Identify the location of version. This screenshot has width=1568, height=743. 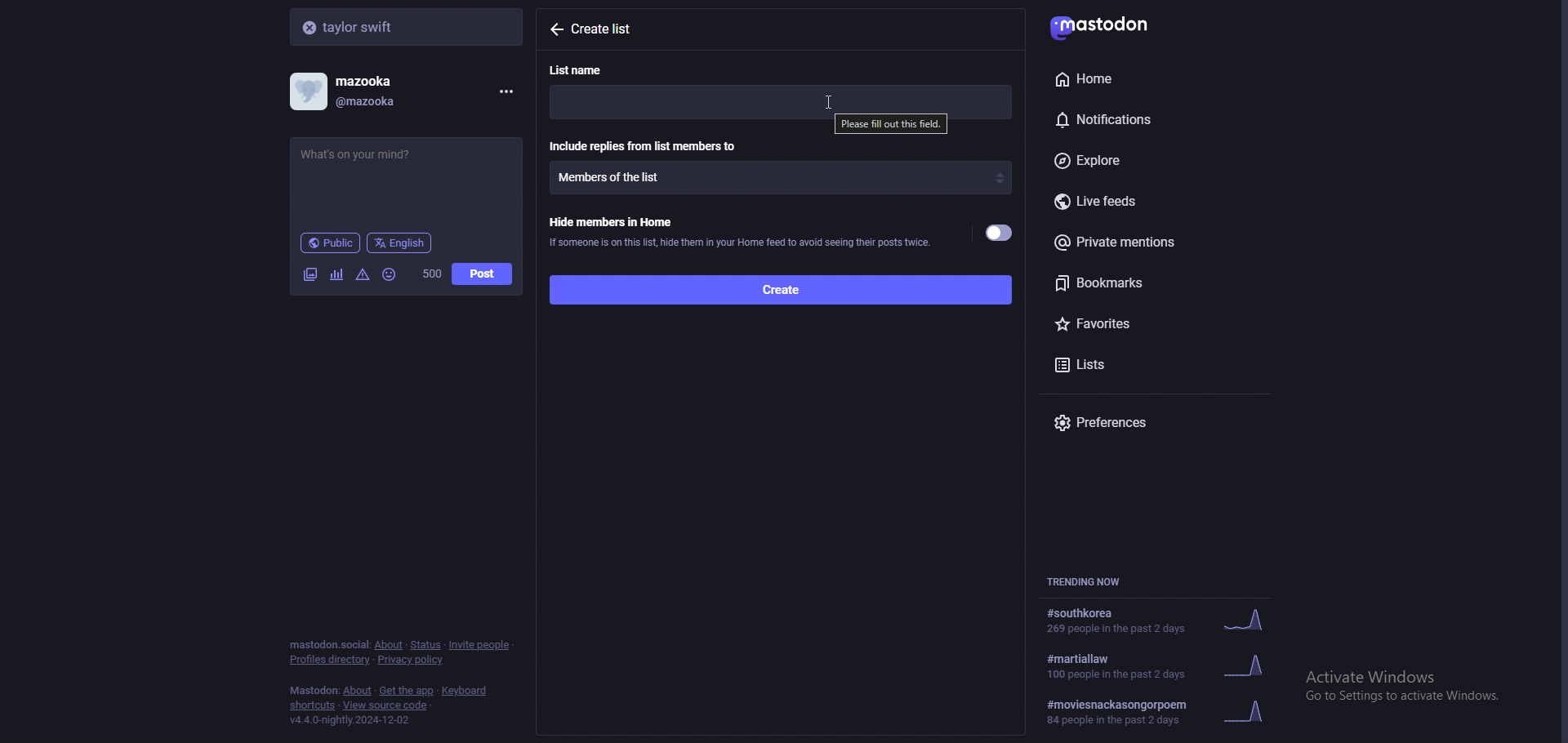
(349, 720).